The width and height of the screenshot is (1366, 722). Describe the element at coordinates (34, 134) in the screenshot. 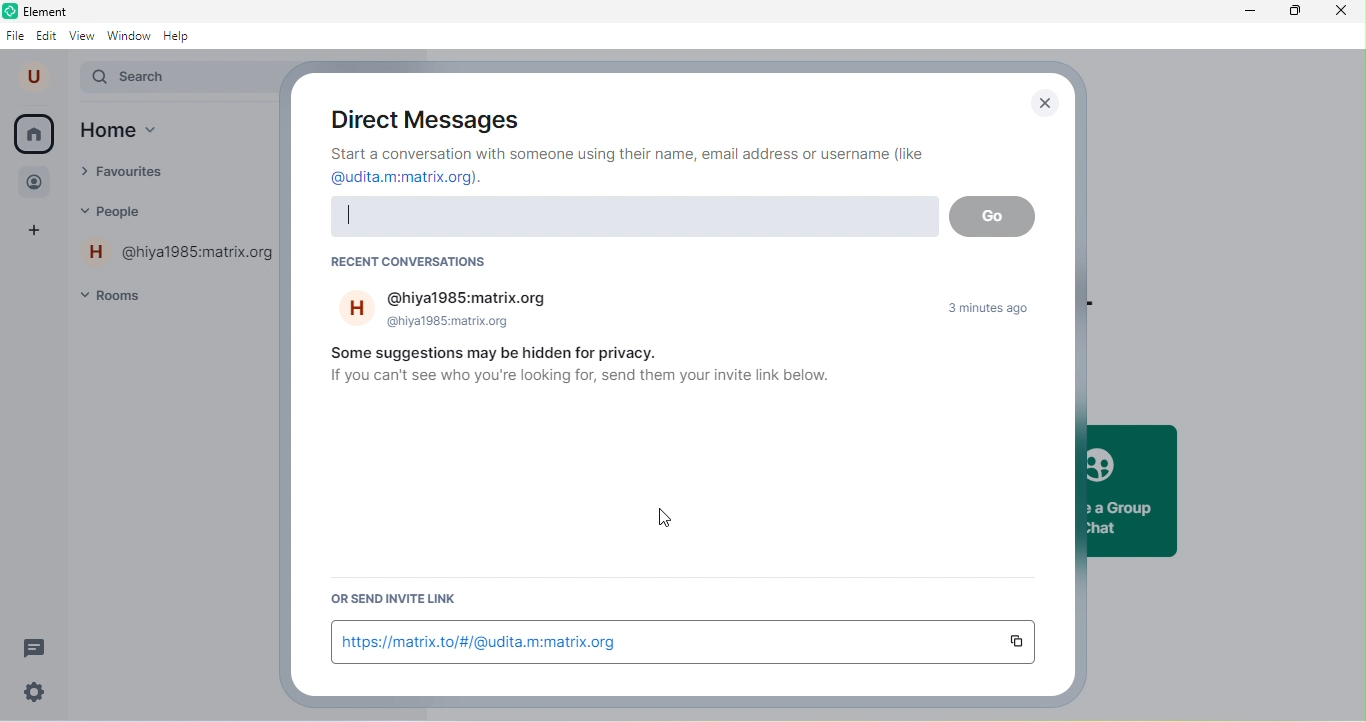

I see `home` at that location.